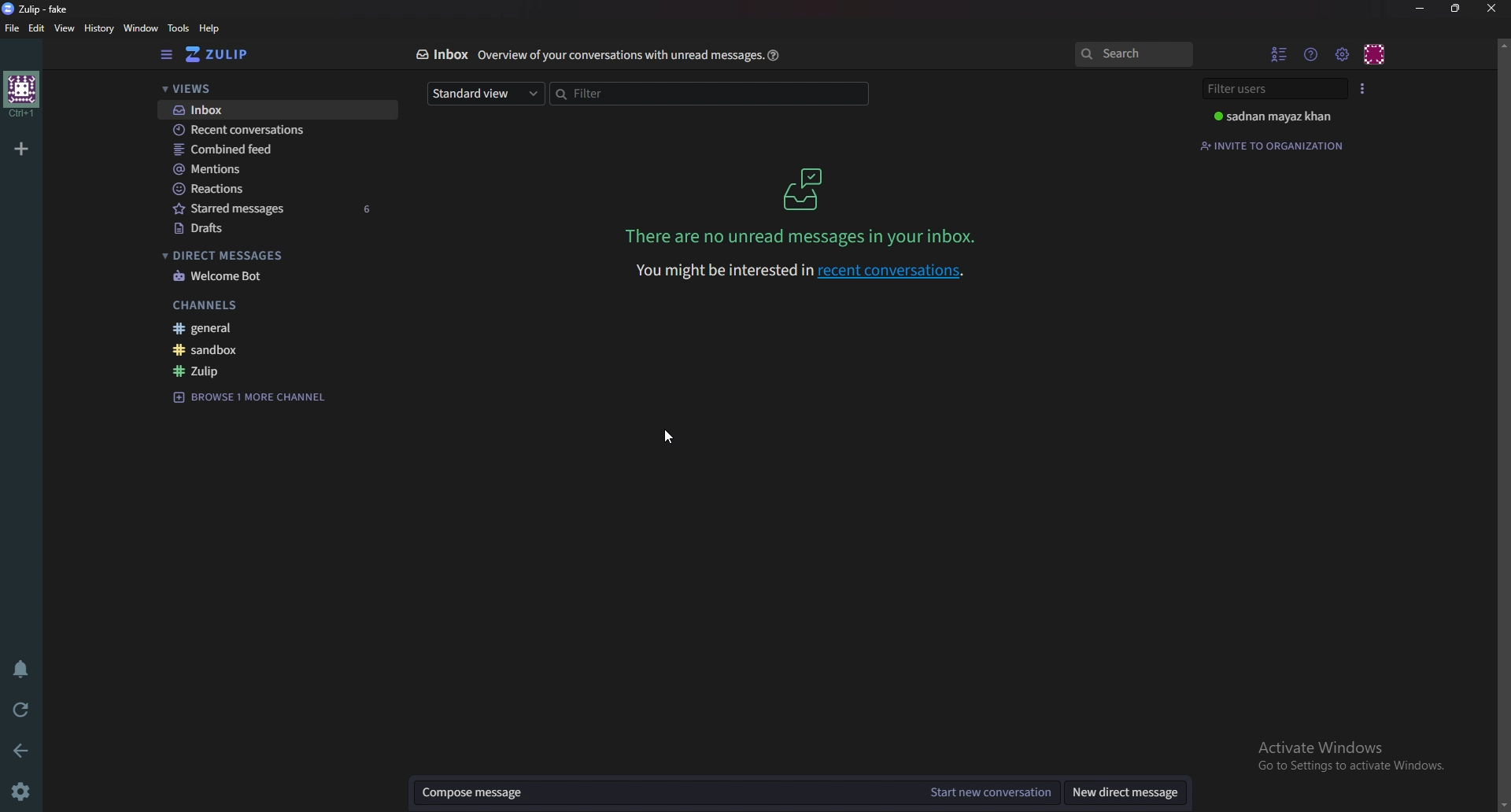 This screenshot has height=812, width=1511. I want to click on User list style, so click(1365, 88).